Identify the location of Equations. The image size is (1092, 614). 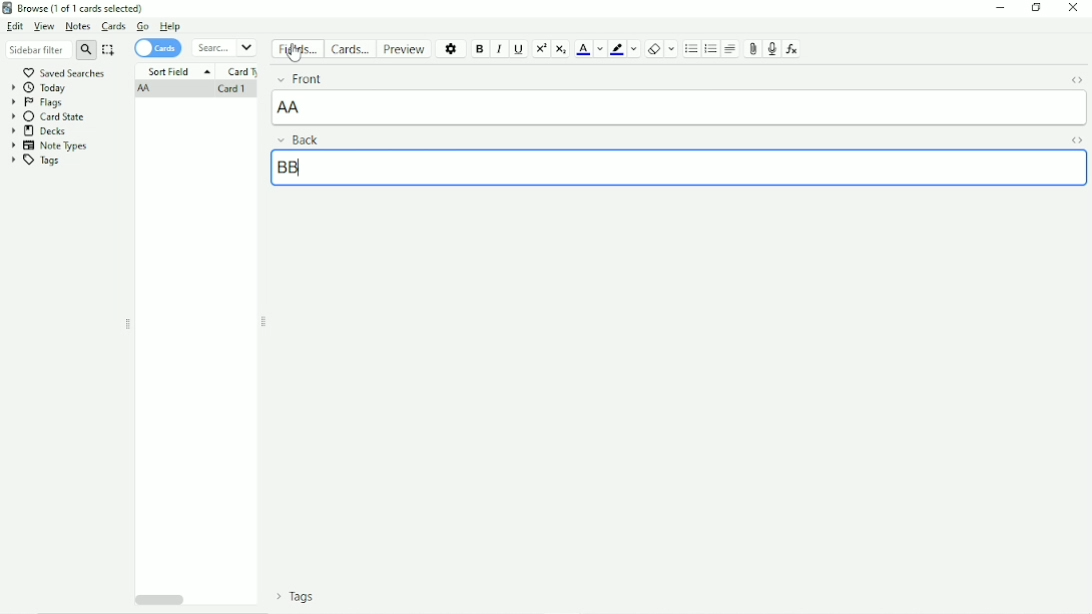
(791, 48).